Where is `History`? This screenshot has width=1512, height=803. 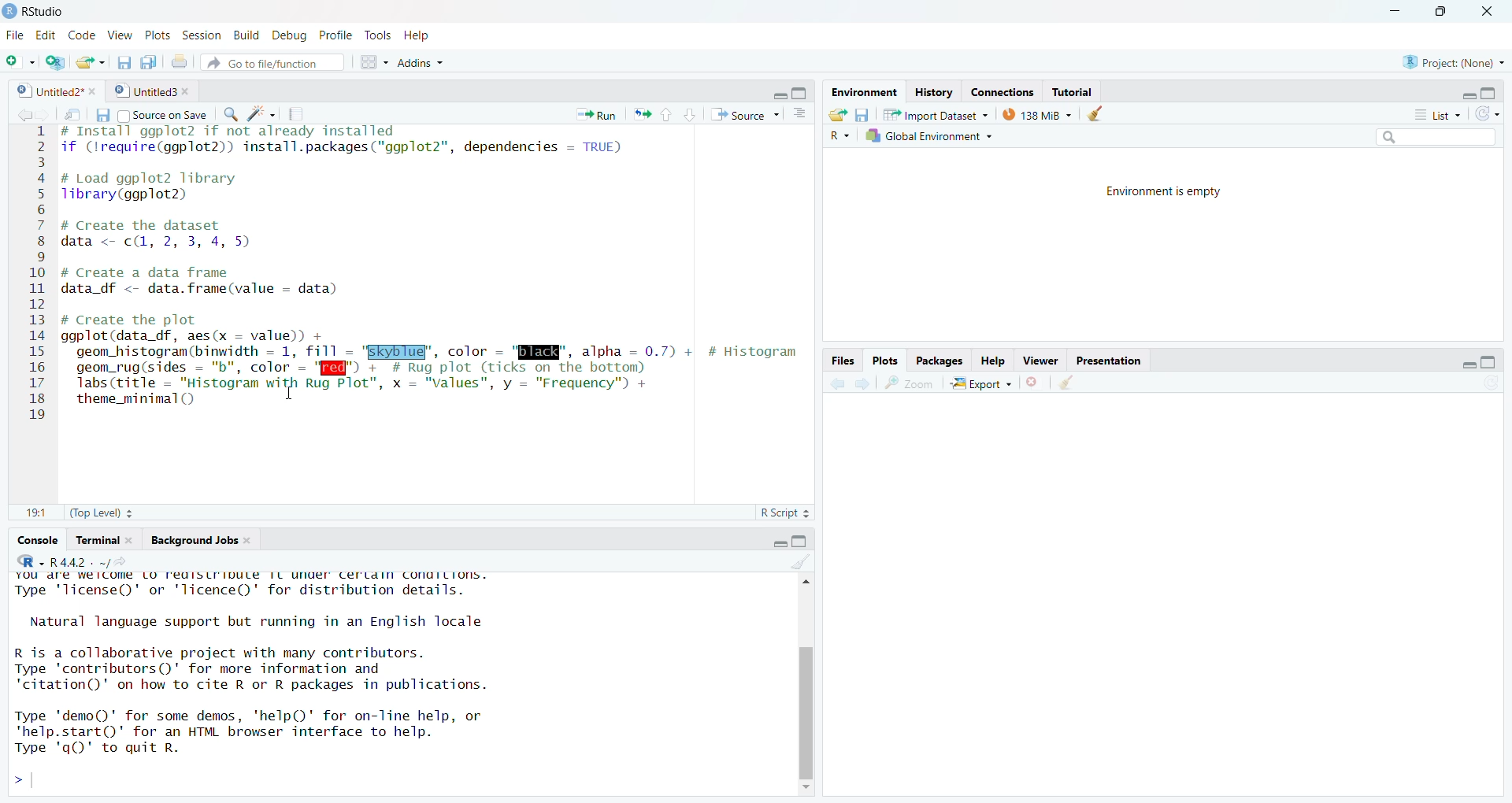 History is located at coordinates (932, 90).